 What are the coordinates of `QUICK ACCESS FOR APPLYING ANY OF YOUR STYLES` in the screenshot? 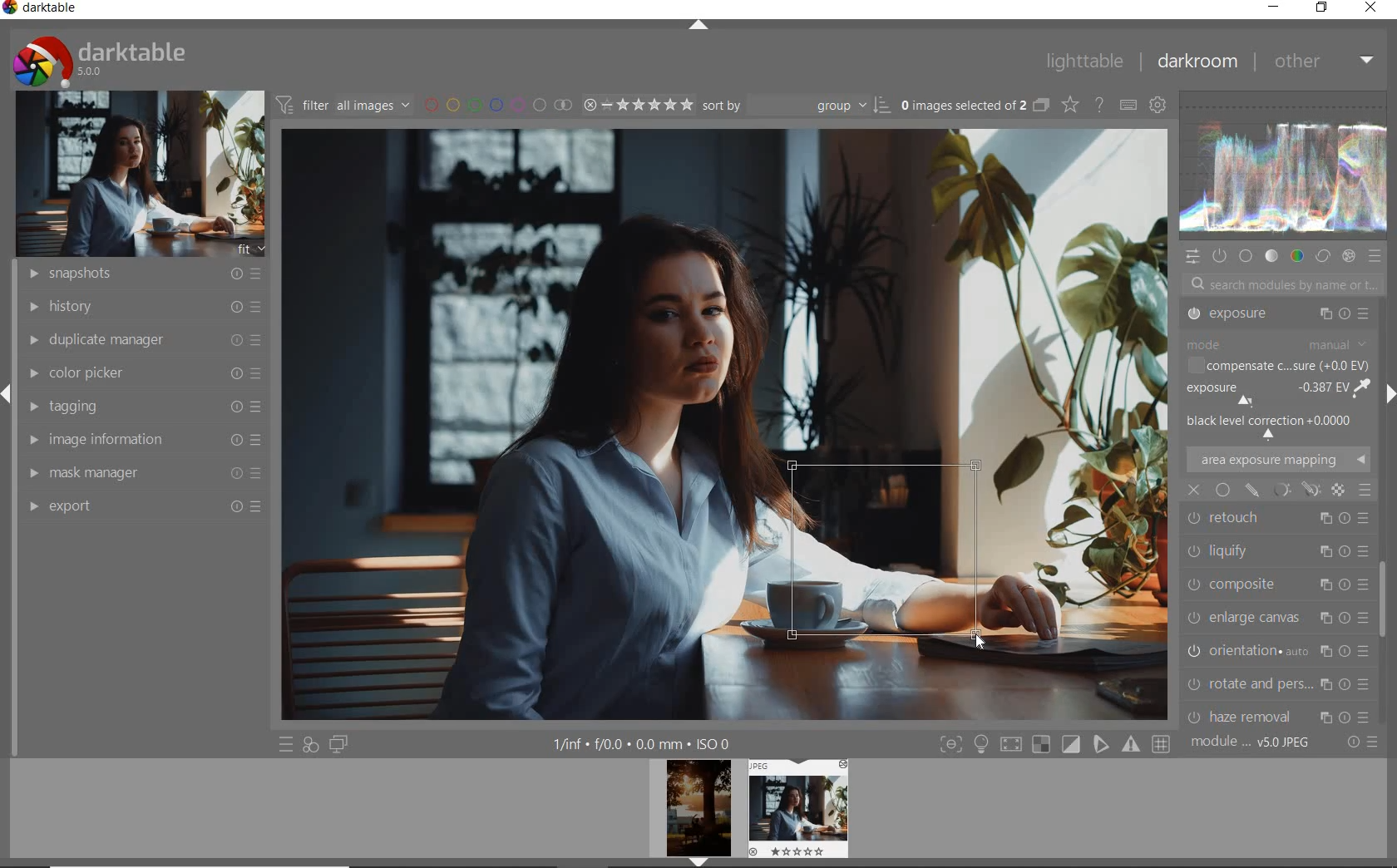 It's located at (311, 745).